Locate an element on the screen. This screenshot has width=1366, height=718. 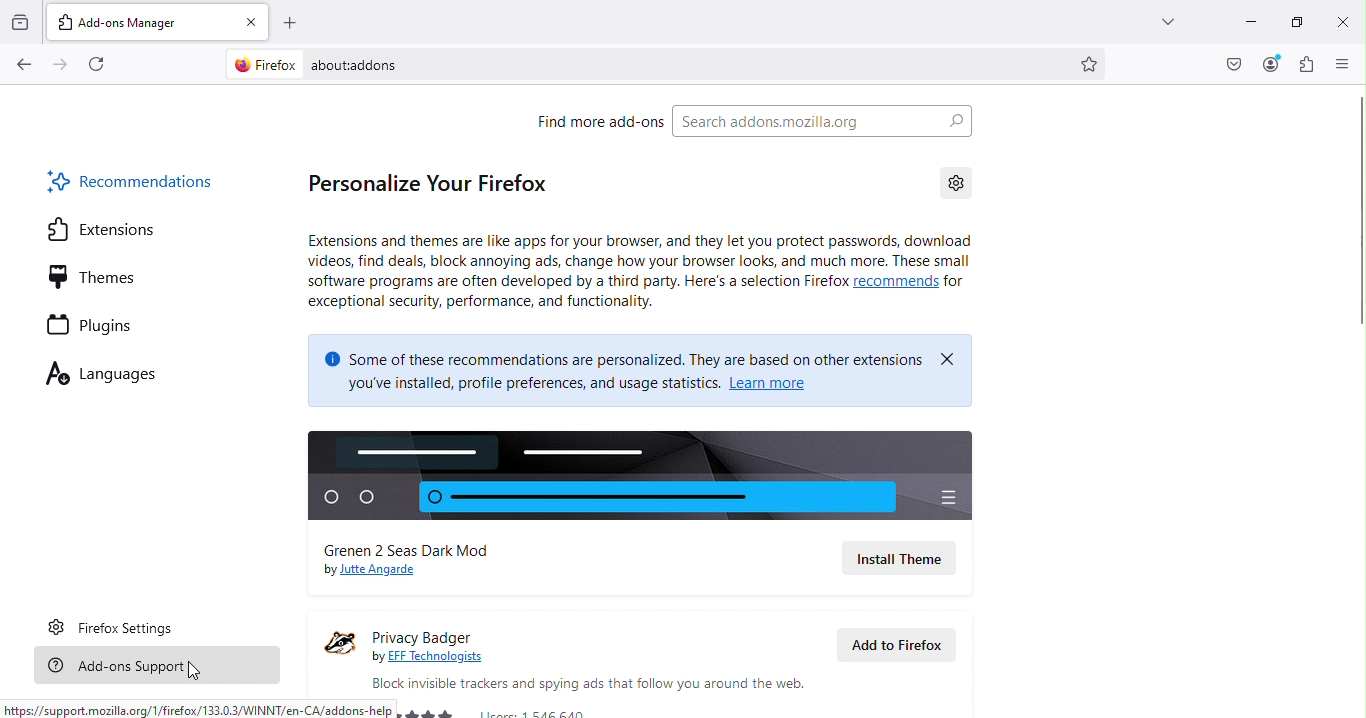
Save to pocket is located at coordinates (1233, 65).